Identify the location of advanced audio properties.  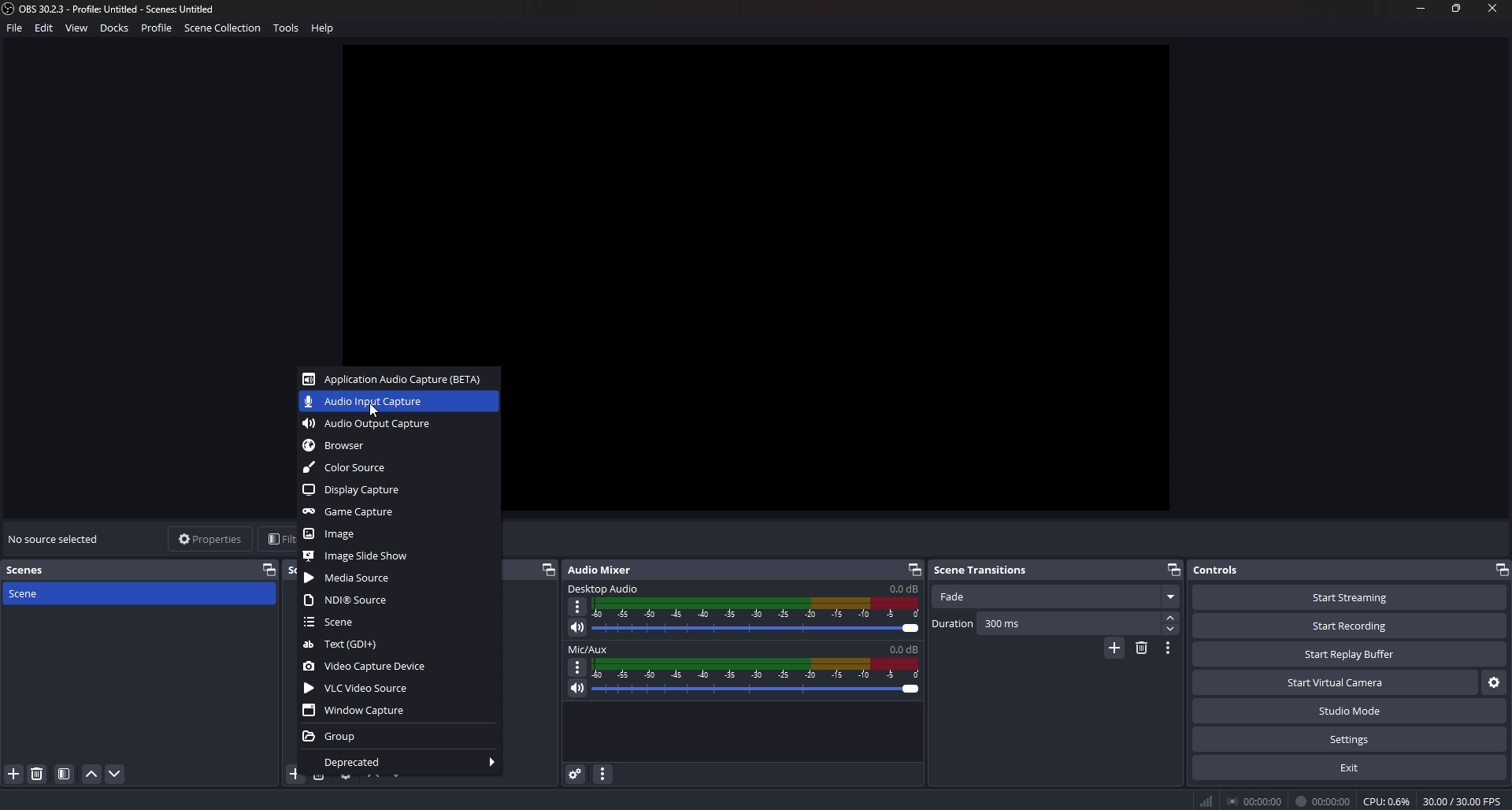
(575, 773).